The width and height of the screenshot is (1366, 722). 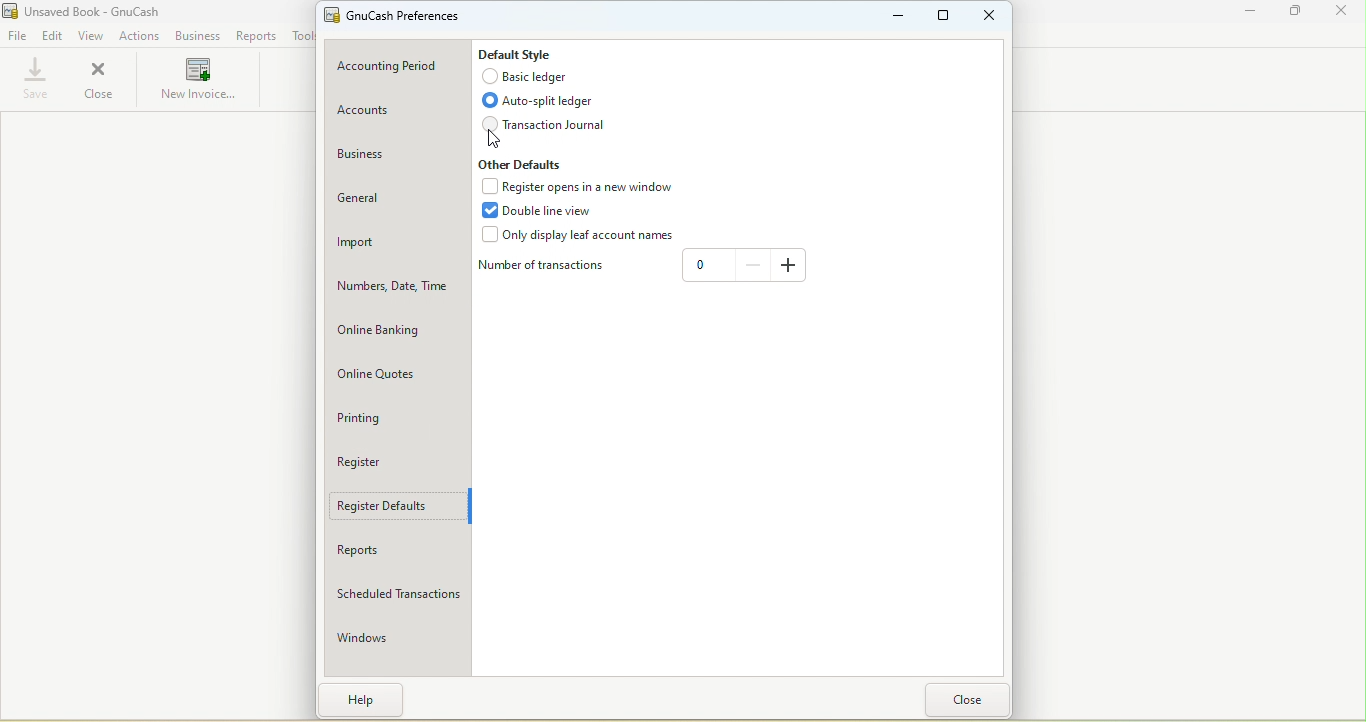 I want to click on Basic ledger, so click(x=532, y=78).